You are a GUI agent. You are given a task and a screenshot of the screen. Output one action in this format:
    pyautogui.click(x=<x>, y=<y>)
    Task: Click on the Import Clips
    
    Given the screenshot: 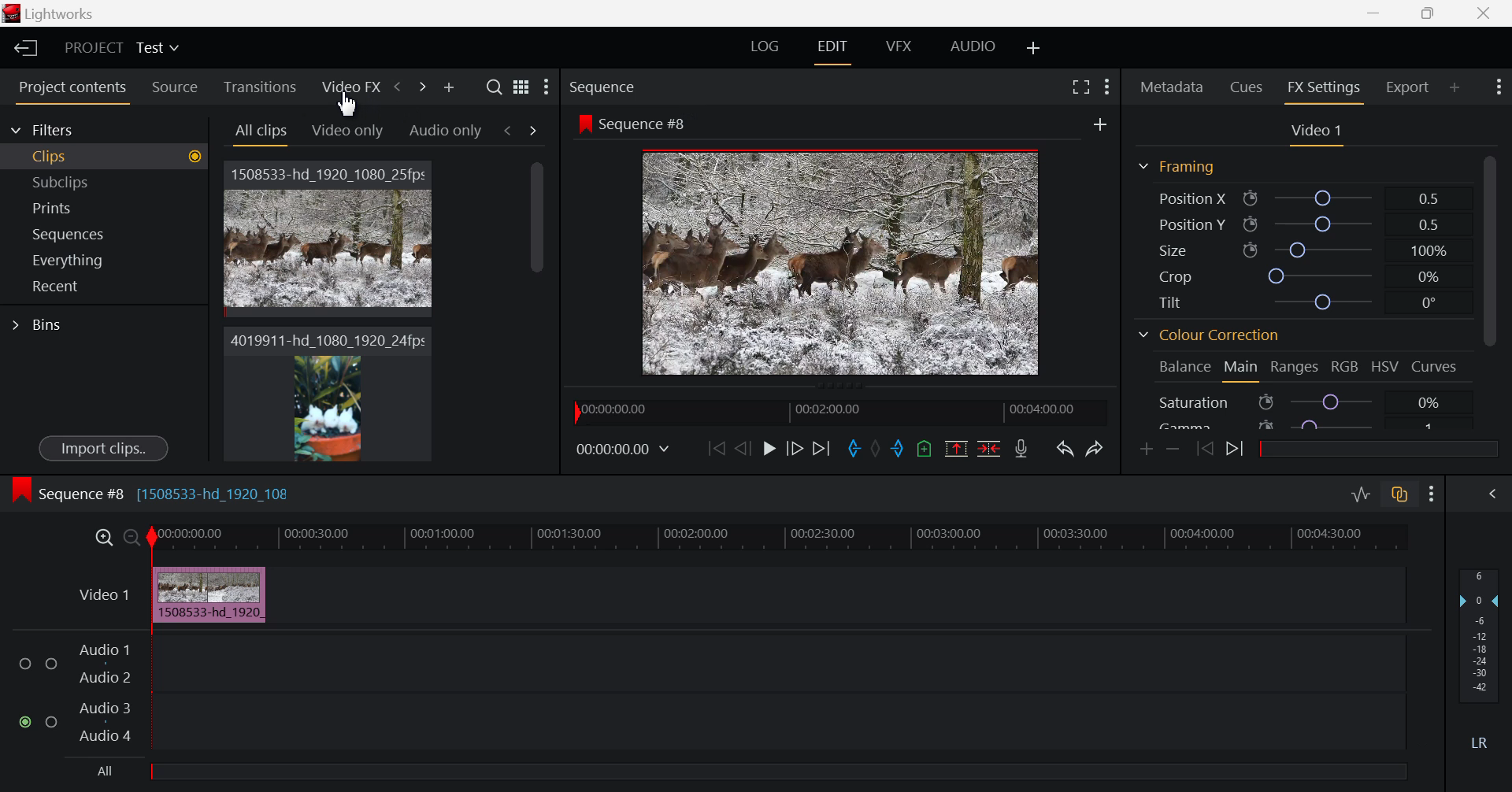 What is the action you would take?
    pyautogui.click(x=100, y=447)
    